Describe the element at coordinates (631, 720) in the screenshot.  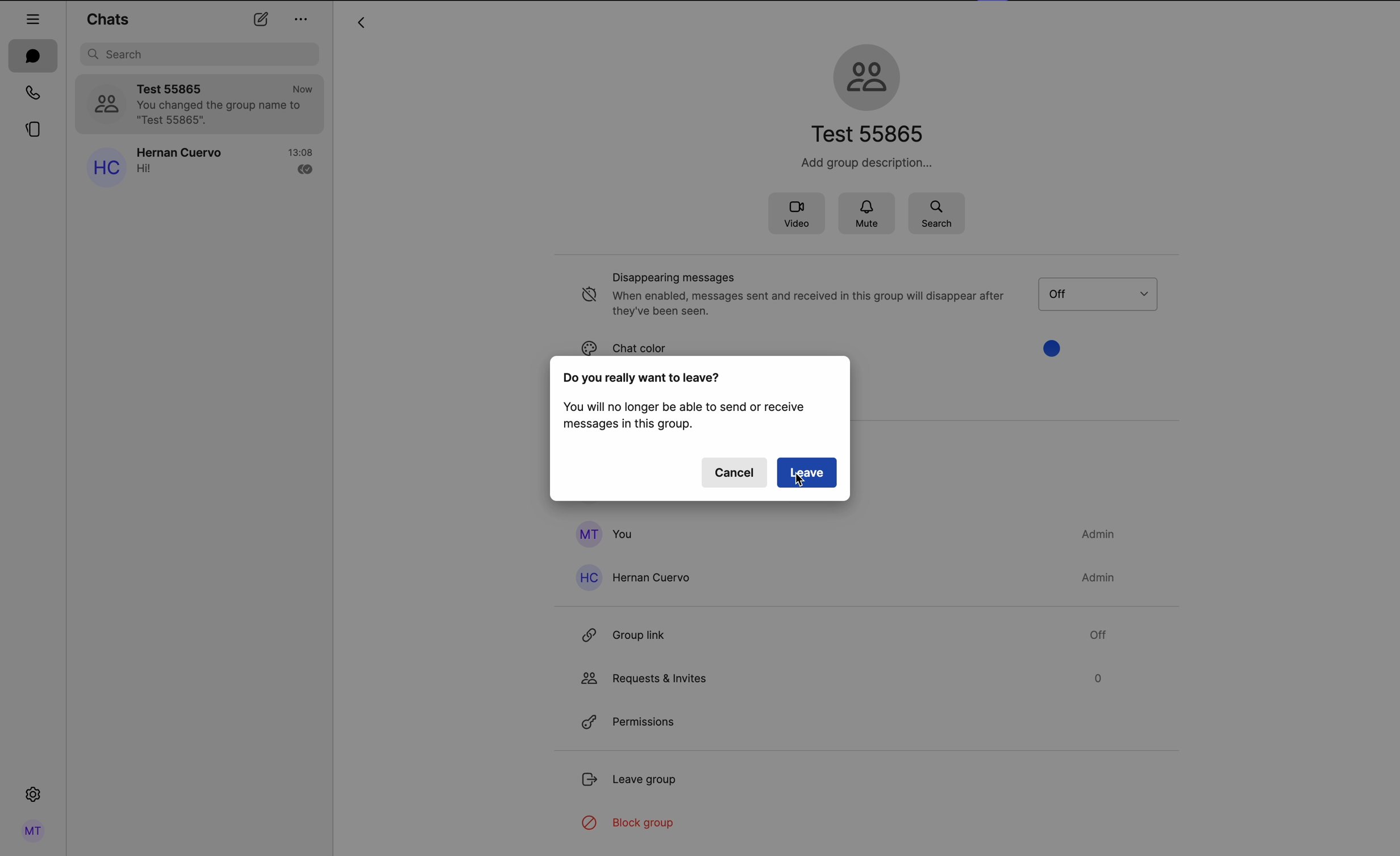
I see `permissions` at that location.